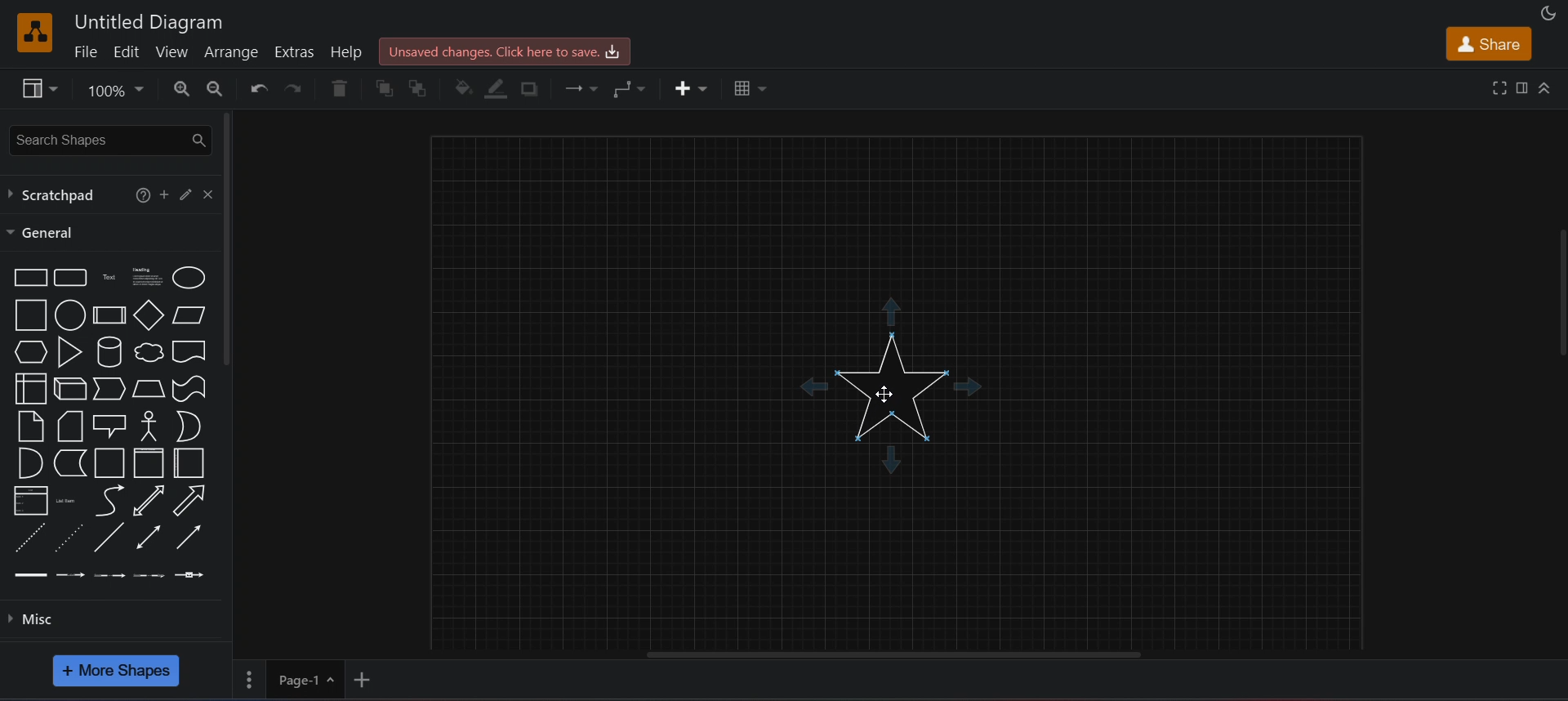 The image size is (1568, 701). Describe the element at coordinates (190, 351) in the screenshot. I see `document` at that location.